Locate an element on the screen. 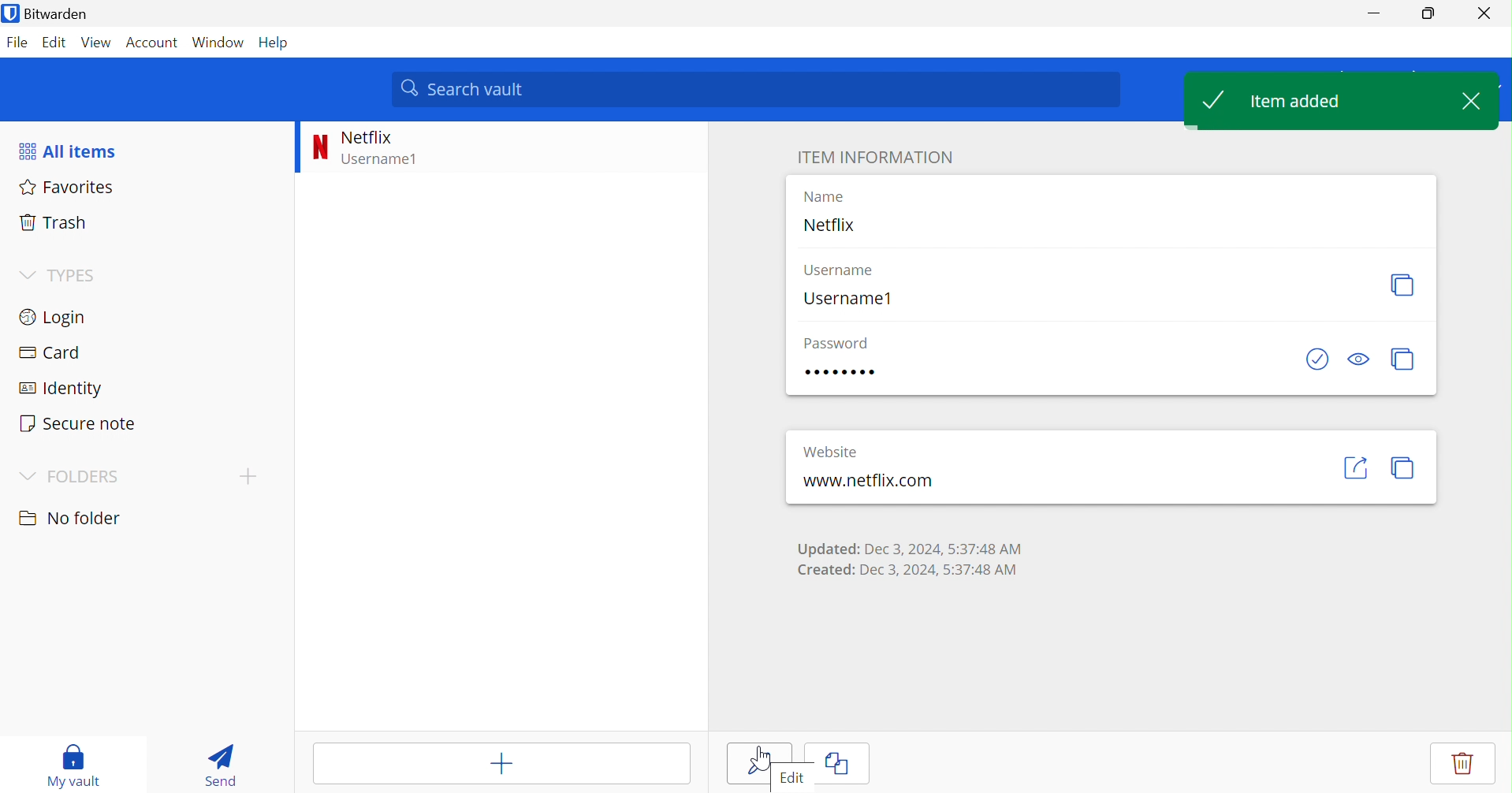  Netflix is located at coordinates (366, 136).